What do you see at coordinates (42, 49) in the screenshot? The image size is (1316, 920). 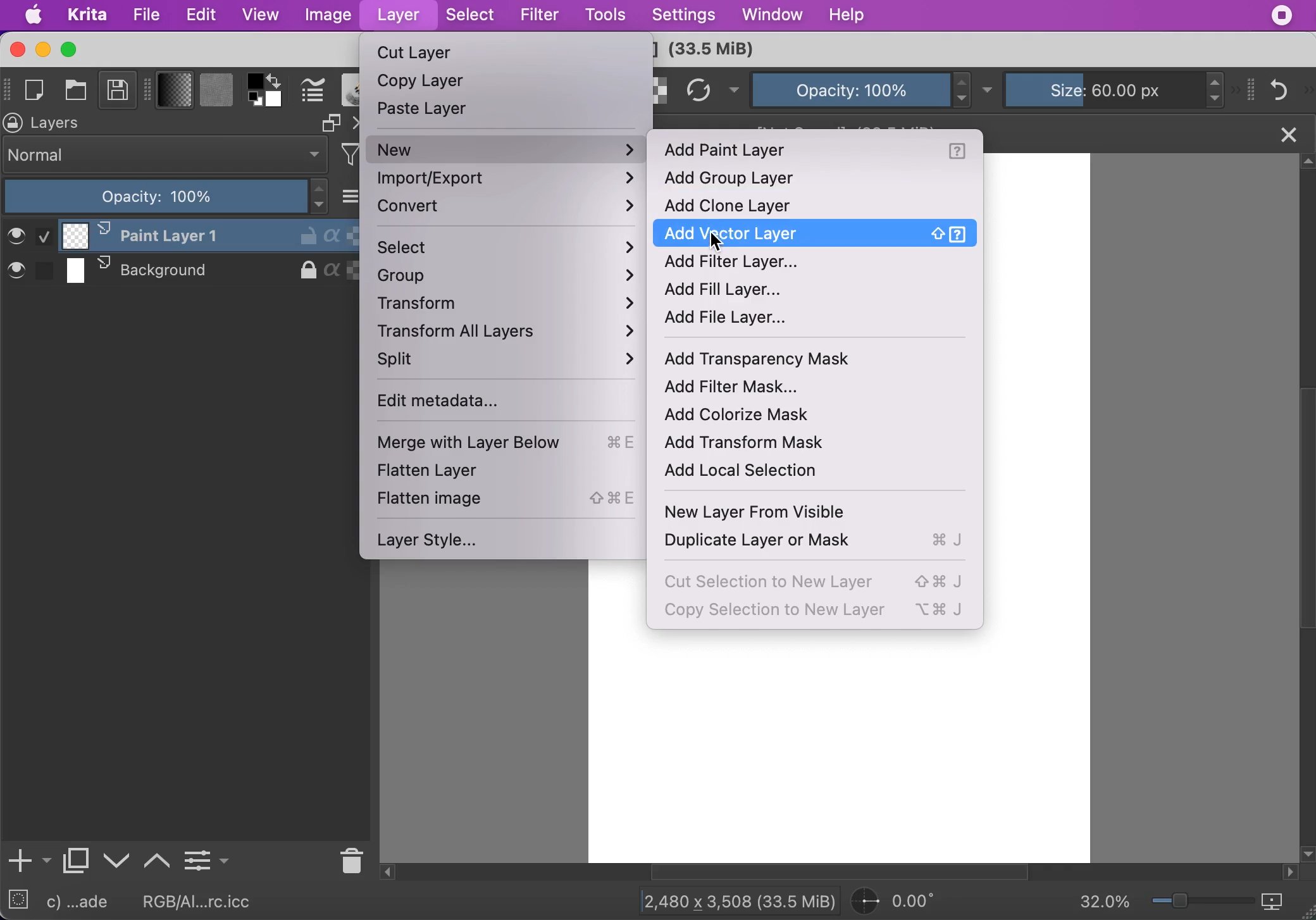 I see `minimize` at bounding box center [42, 49].